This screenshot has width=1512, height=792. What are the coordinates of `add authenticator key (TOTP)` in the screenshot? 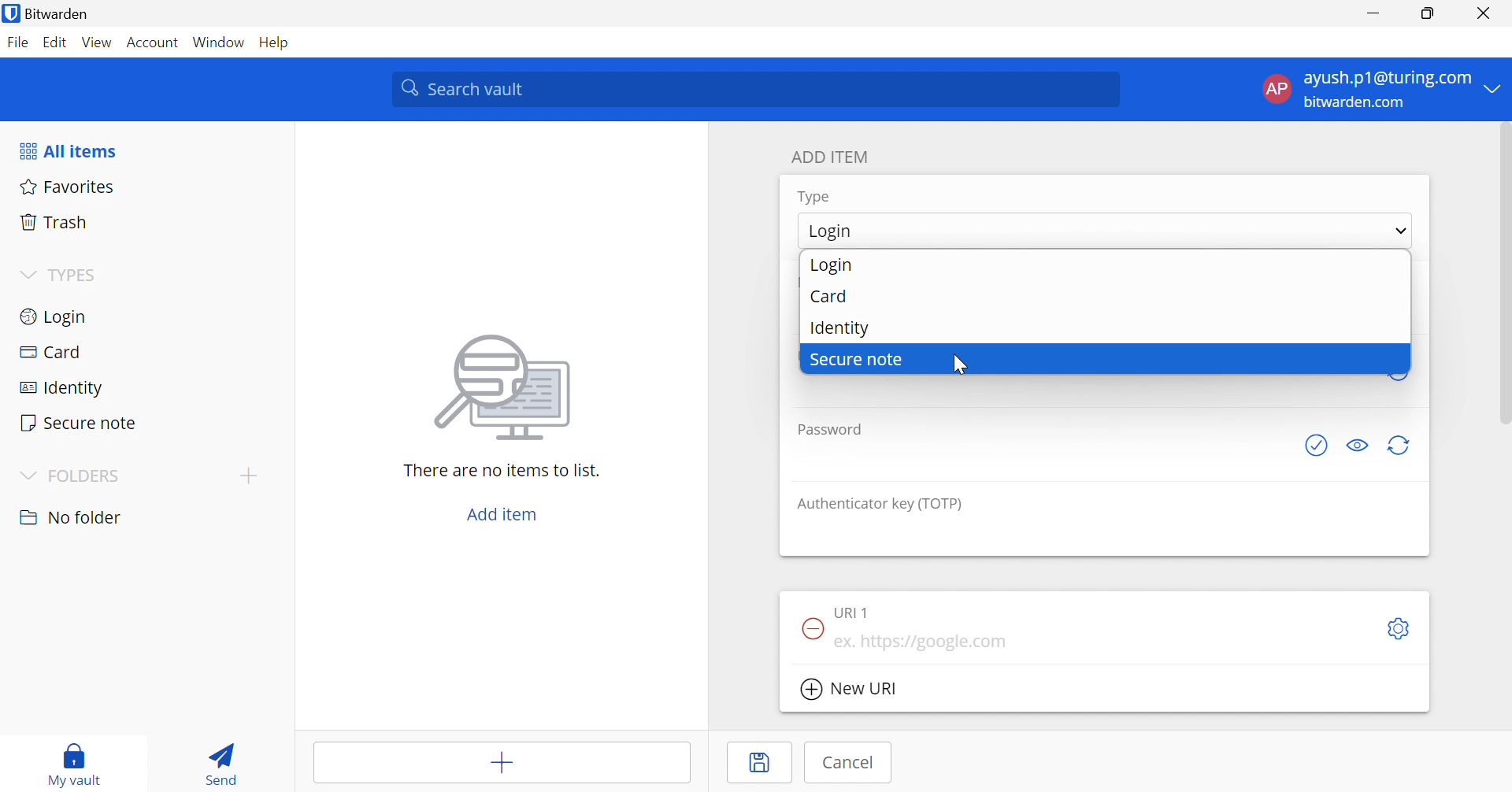 It's located at (1106, 534).